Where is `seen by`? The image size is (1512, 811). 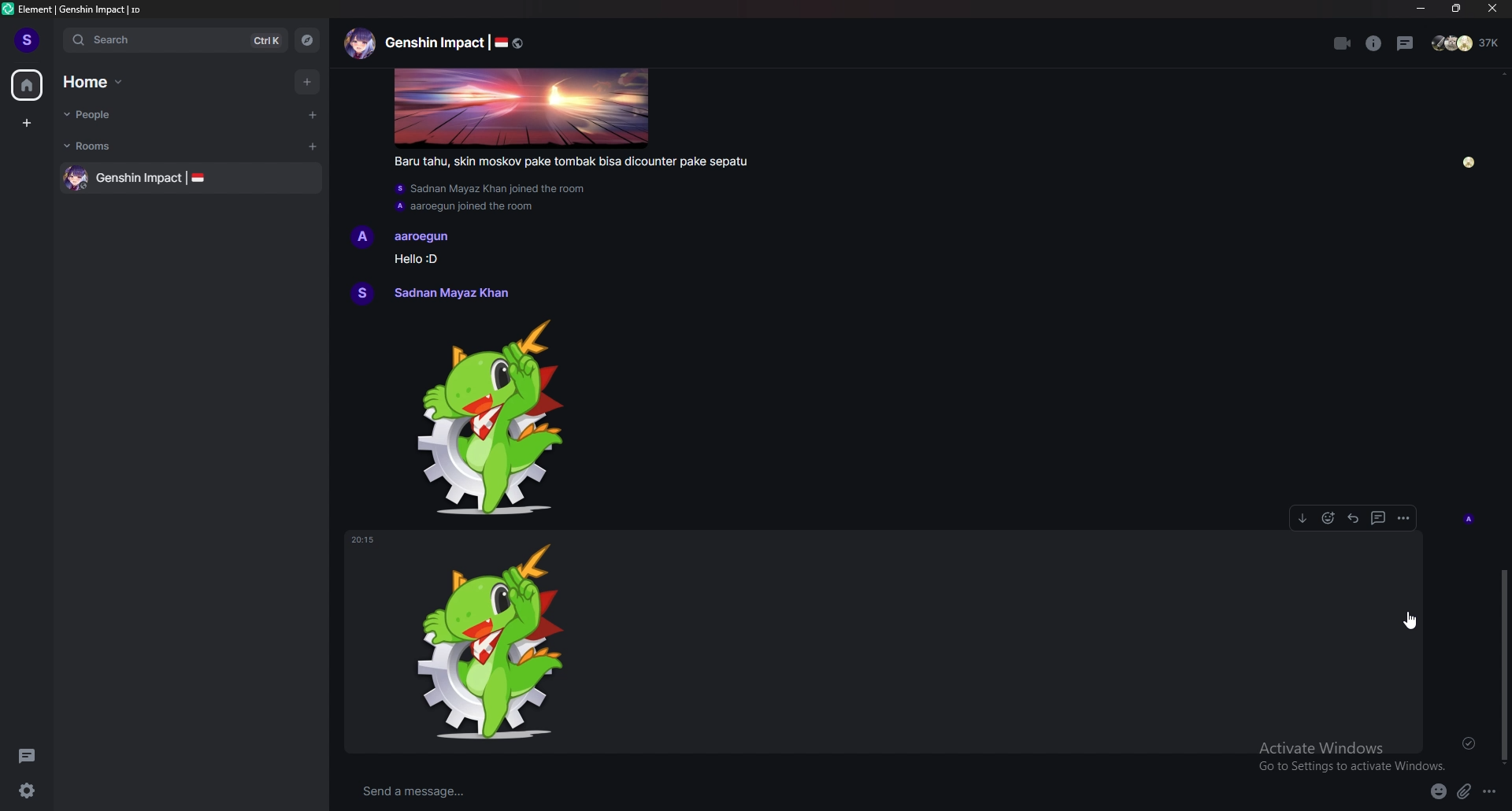
seen by is located at coordinates (1468, 162).